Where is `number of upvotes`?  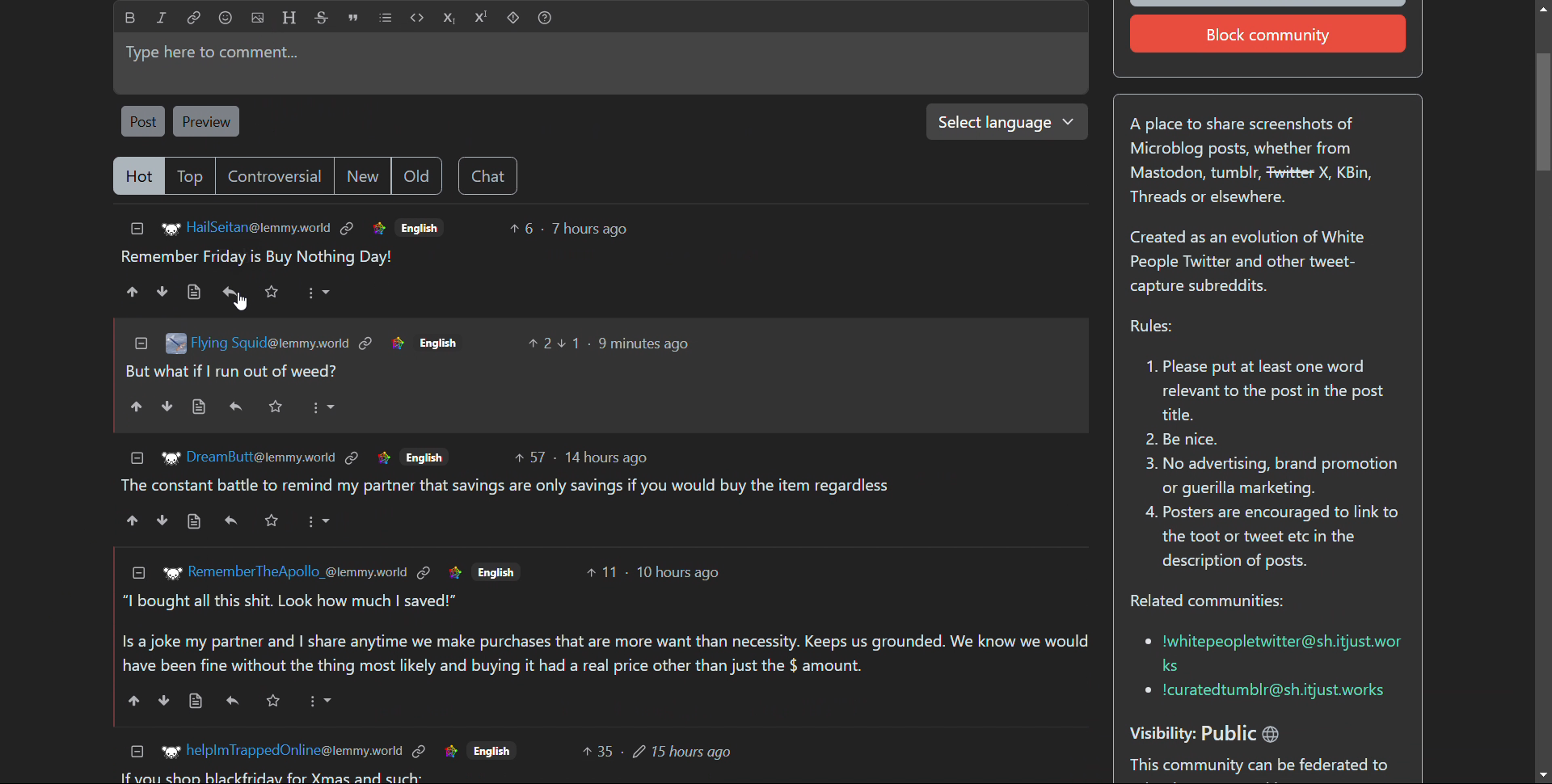 number of upvotes is located at coordinates (523, 229).